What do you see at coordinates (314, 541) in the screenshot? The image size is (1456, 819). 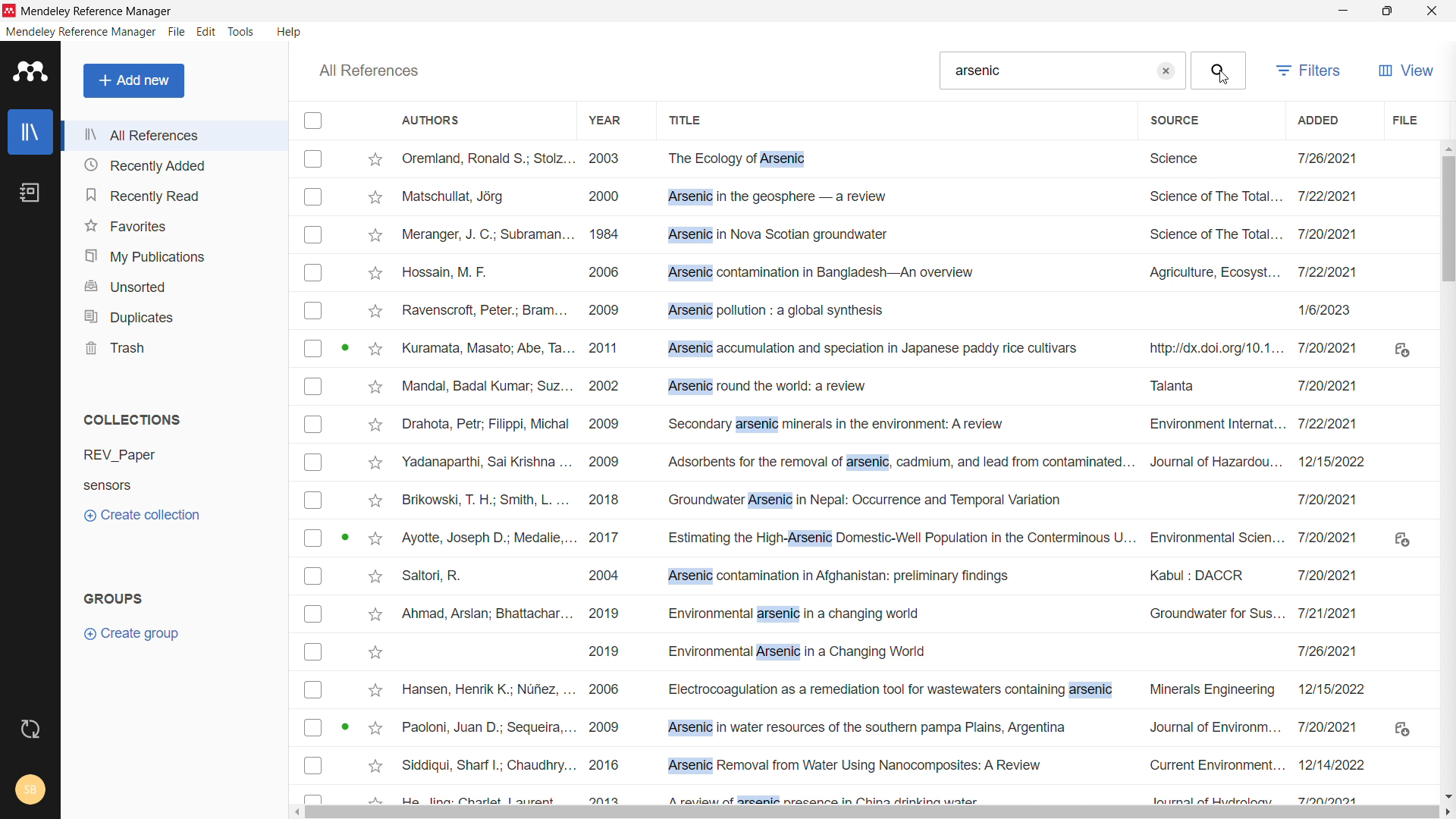 I see `Checkbox` at bounding box center [314, 541].